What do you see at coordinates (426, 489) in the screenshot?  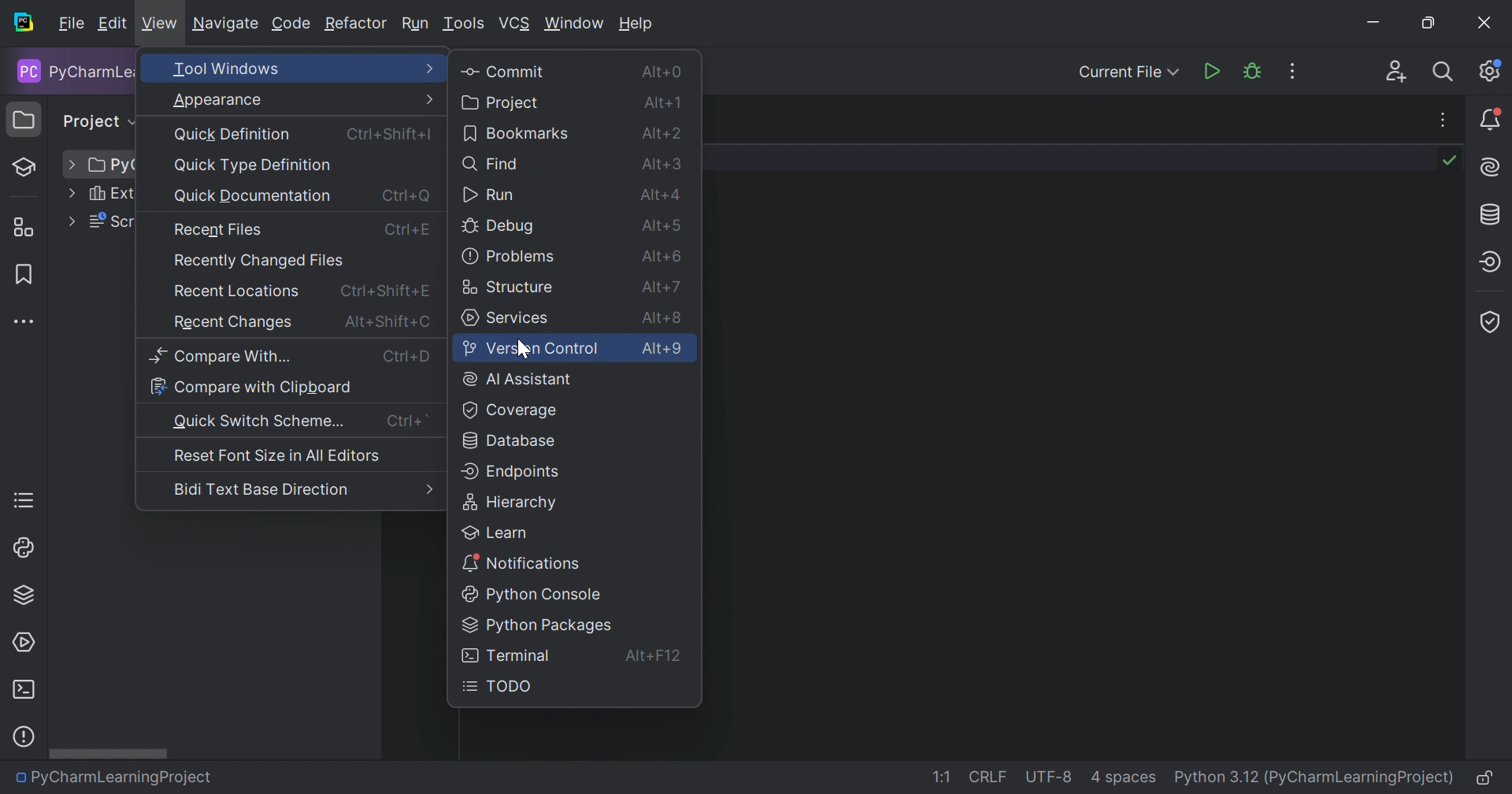 I see `>` at bounding box center [426, 489].